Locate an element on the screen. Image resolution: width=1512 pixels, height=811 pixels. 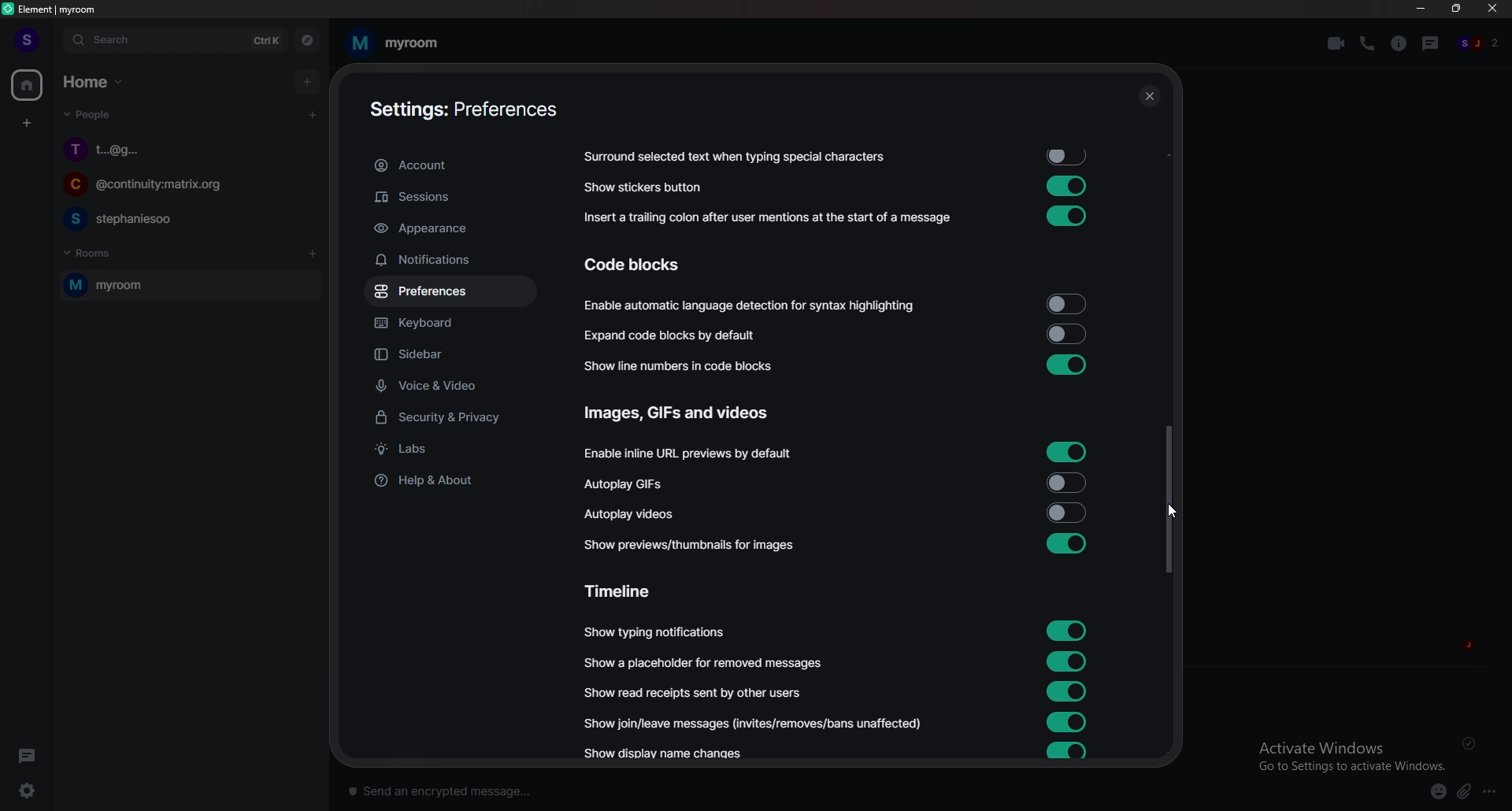
Home is located at coordinates (96, 80).